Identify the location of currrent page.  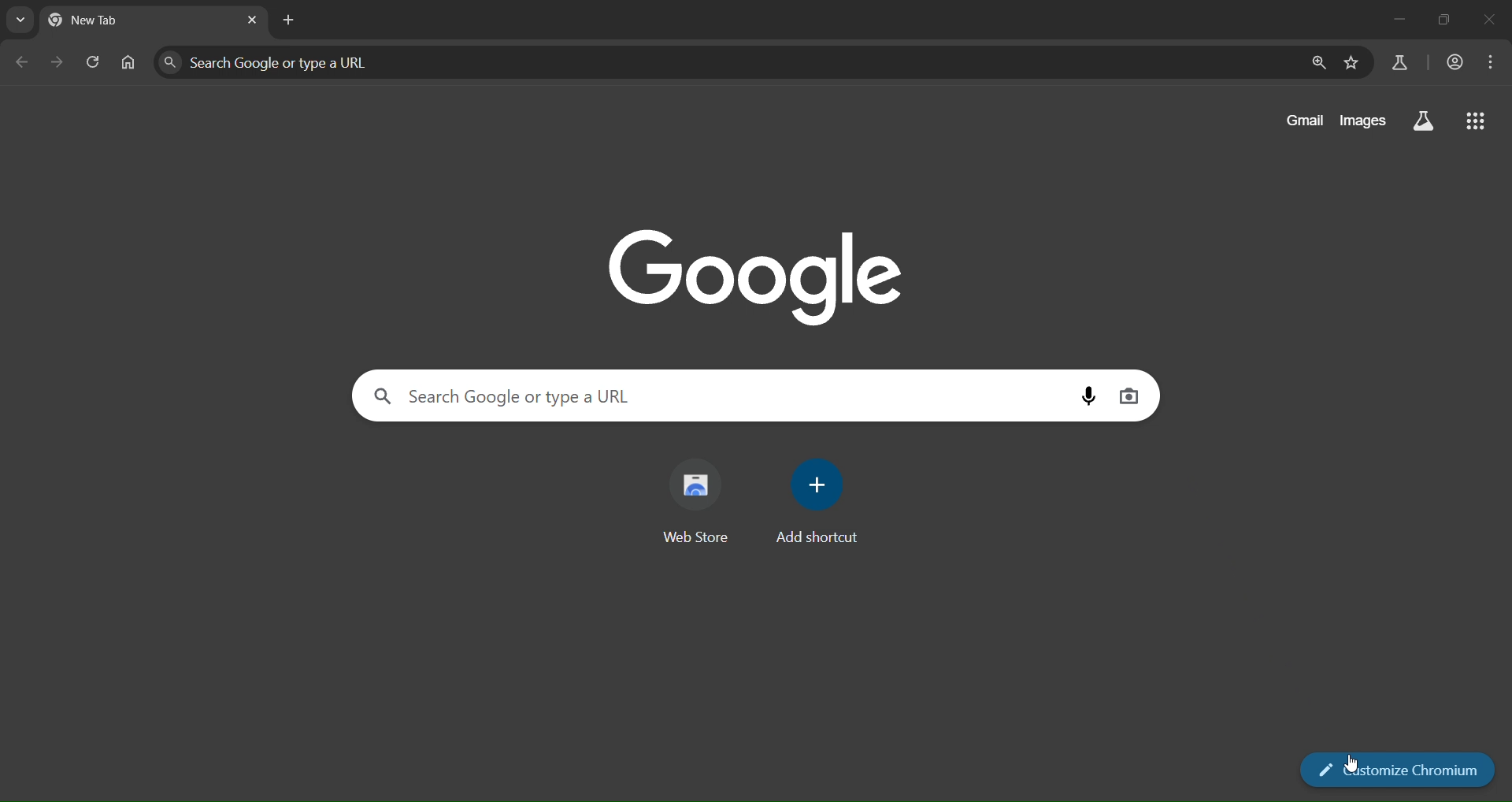
(110, 20).